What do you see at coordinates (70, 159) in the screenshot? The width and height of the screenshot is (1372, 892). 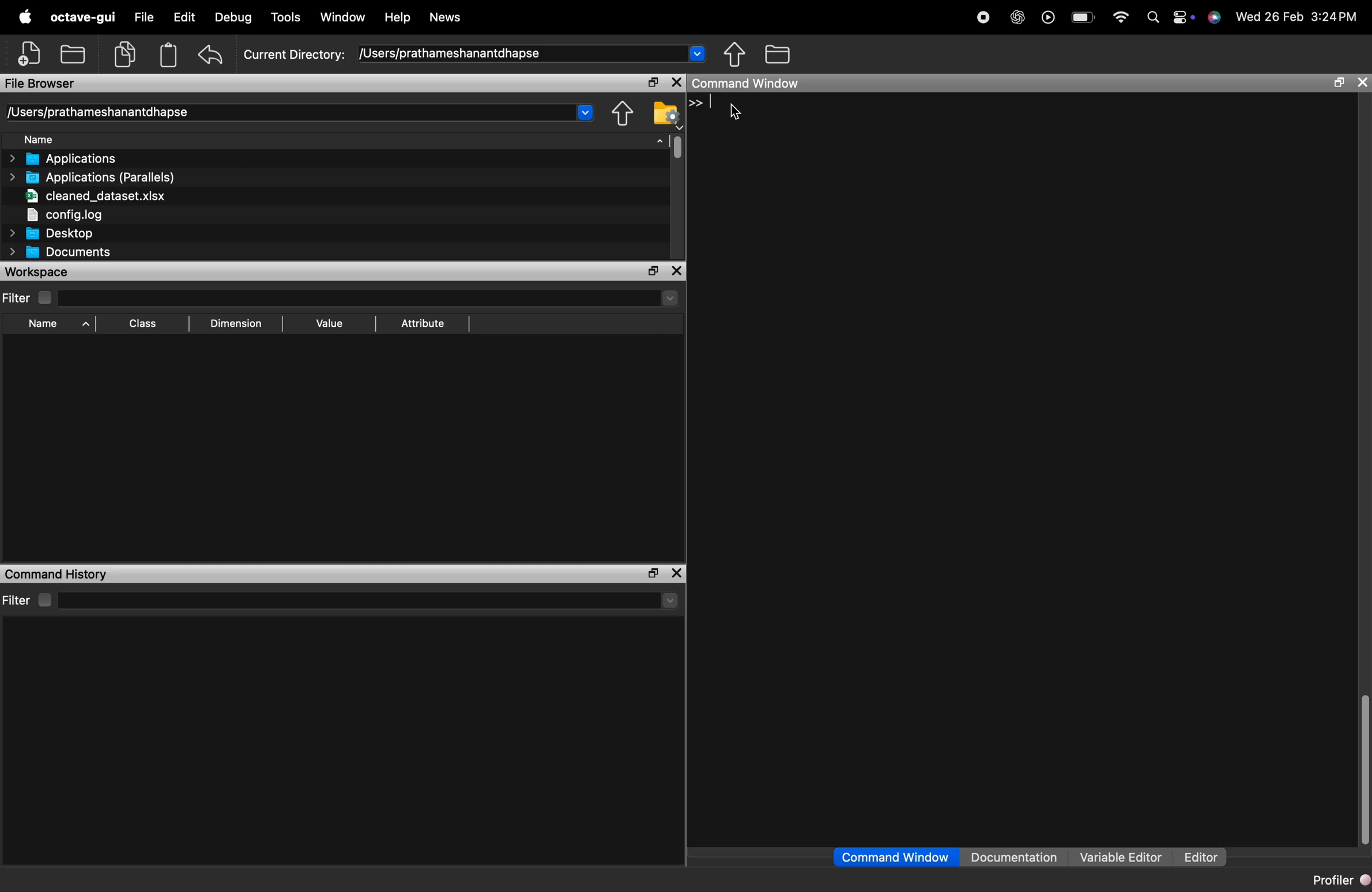 I see `Applications` at bounding box center [70, 159].